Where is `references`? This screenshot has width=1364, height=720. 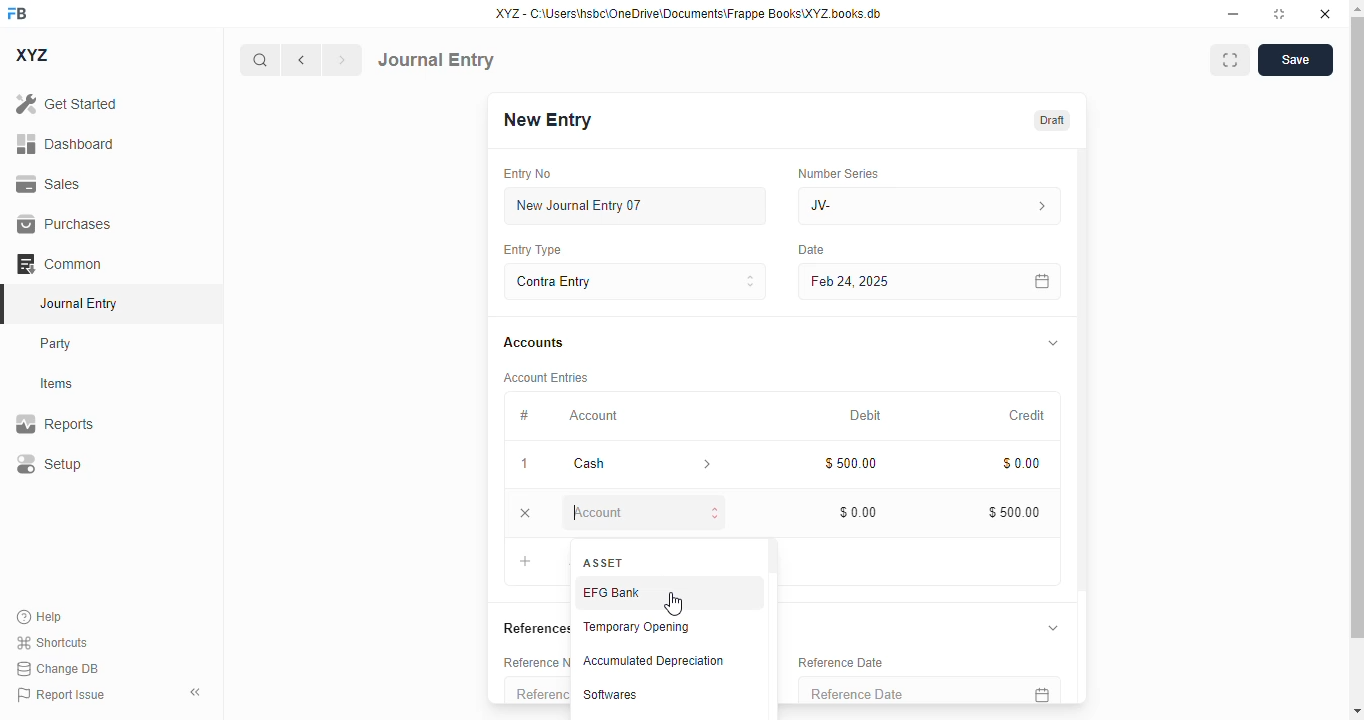 references is located at coordinates (533, 628).